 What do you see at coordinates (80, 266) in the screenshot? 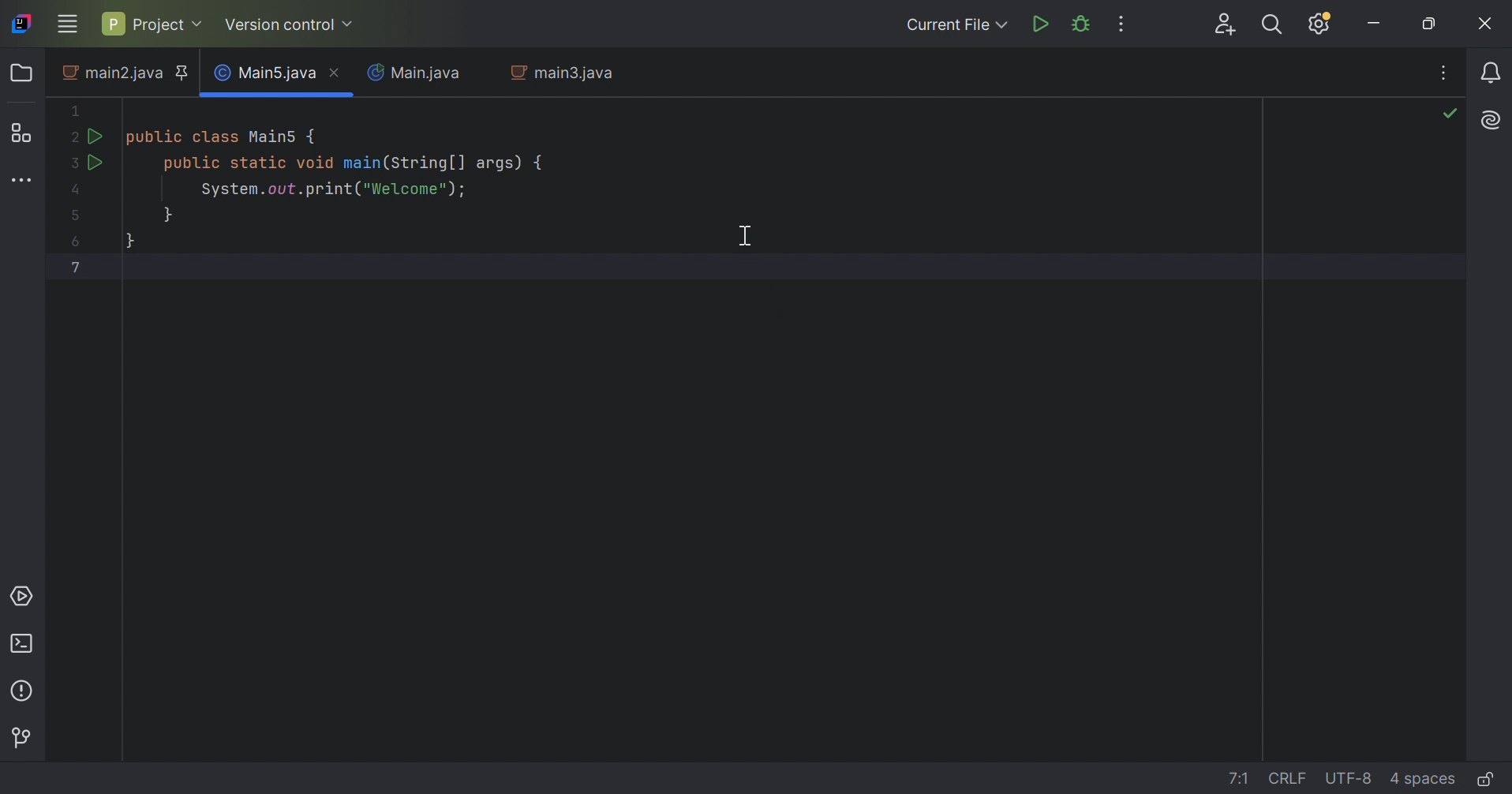
I see `7` at bounding box center [80, 266].